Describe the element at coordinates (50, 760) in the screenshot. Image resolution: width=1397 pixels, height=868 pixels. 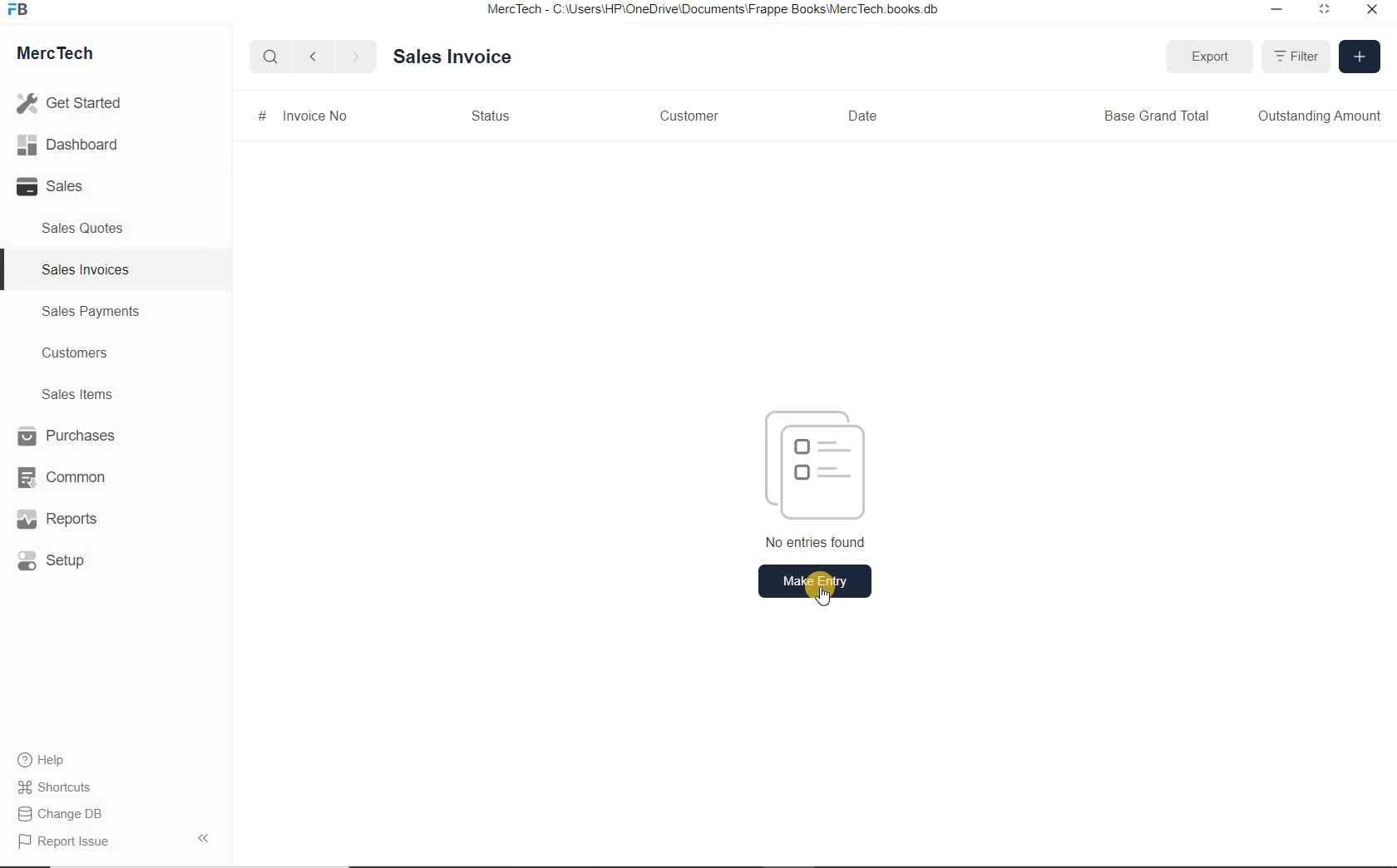
I see `Help` at that location.